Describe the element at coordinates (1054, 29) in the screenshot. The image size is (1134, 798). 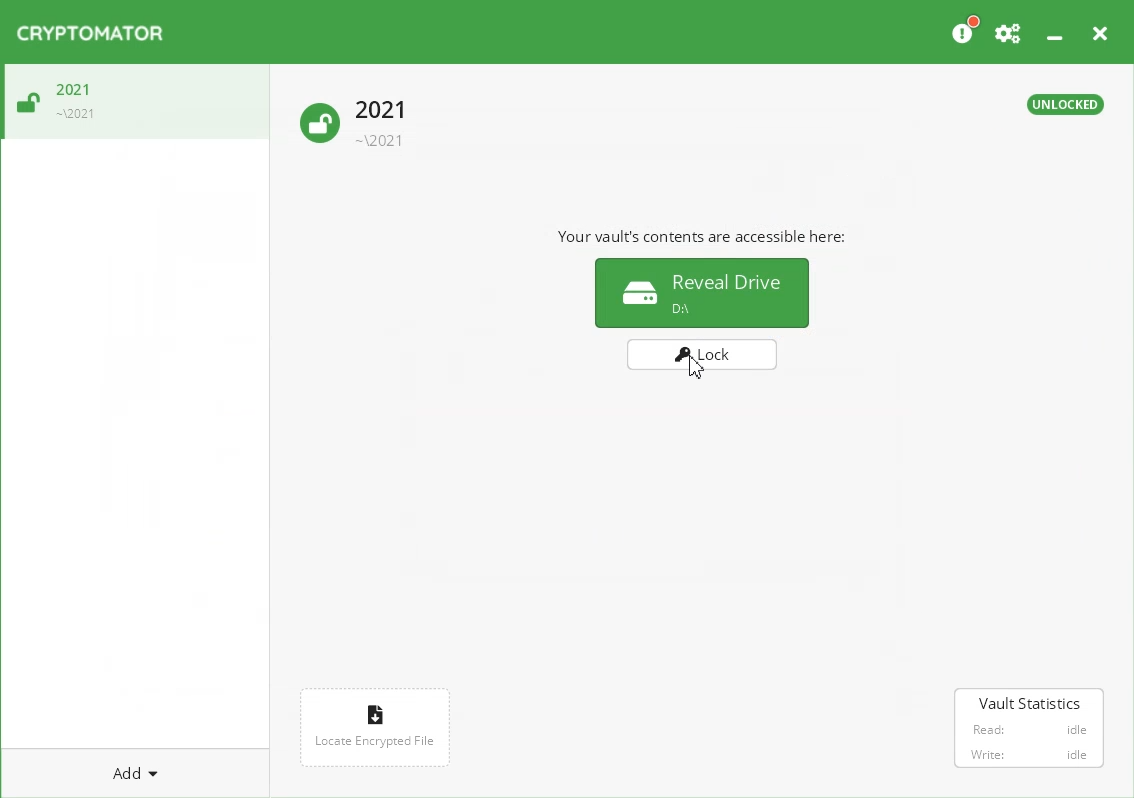
I see `Minimize` at that location.